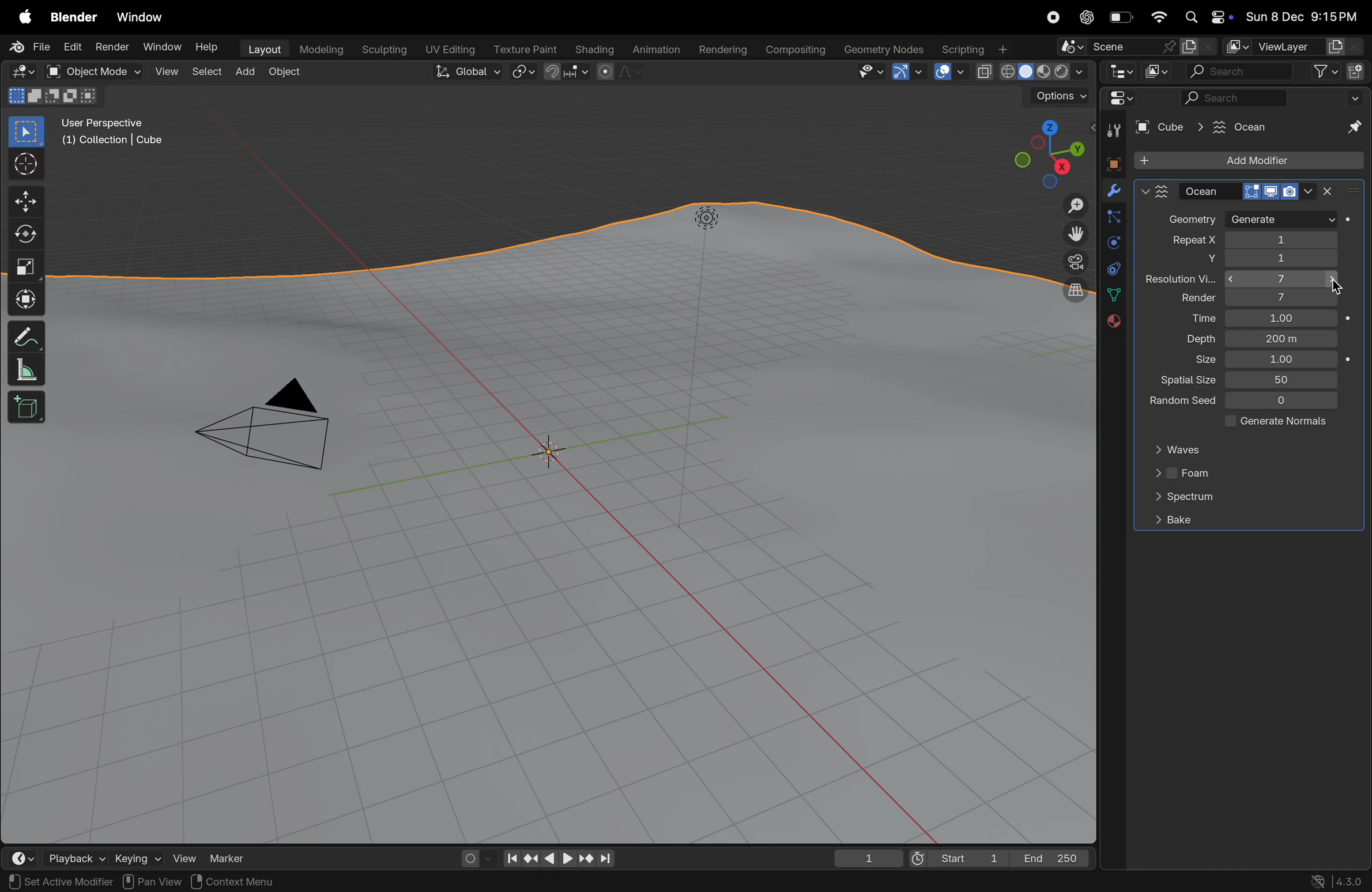 The width and height of the screenshot is (1372, 892). What do you see at coordinates (22, 72) in the screenshot?
I see `editor type` at bounding box center [22, 72].